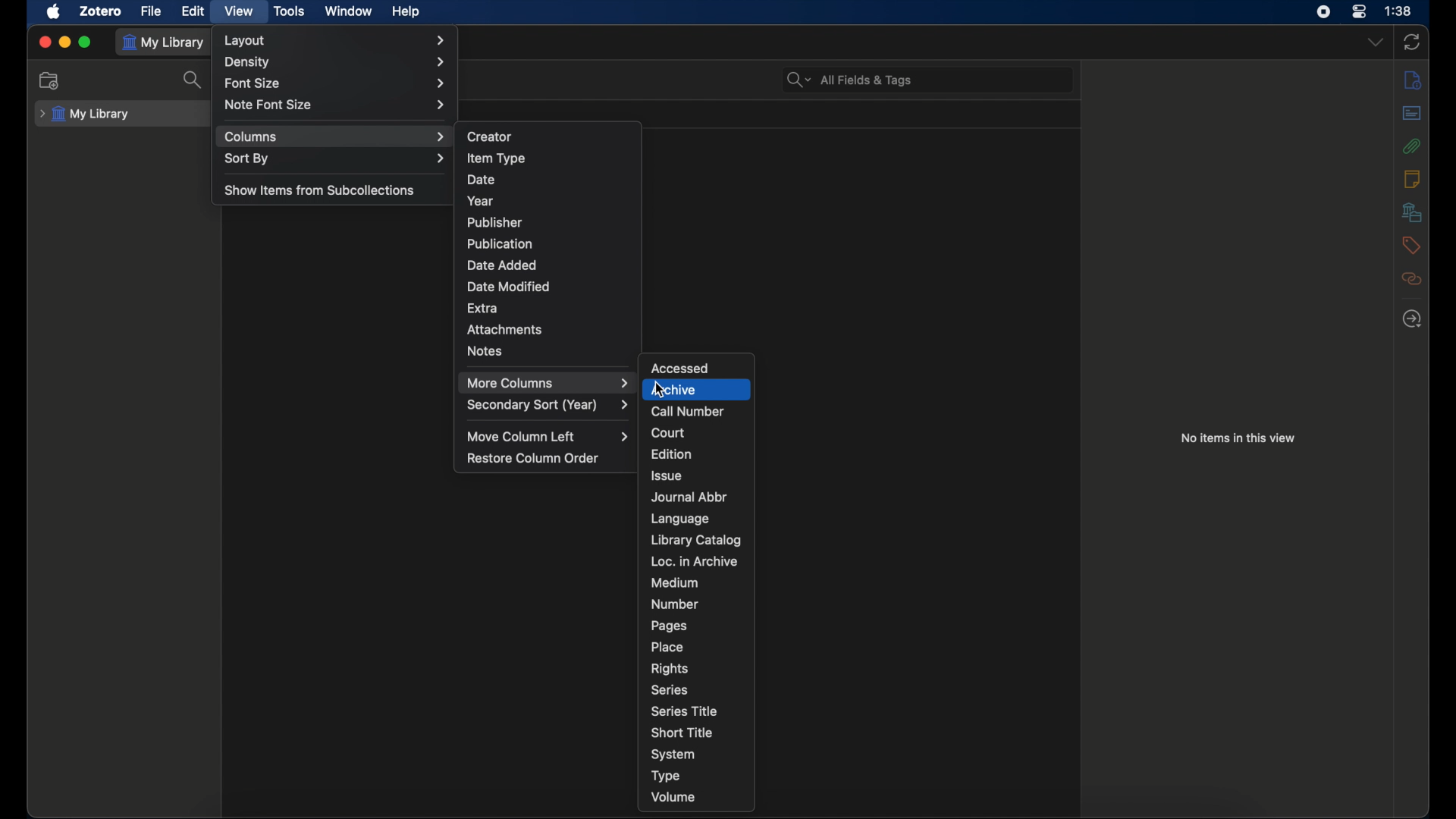  Describe the element at coordinates (1412, 319) in the screenshot. I see `locate` at that location.